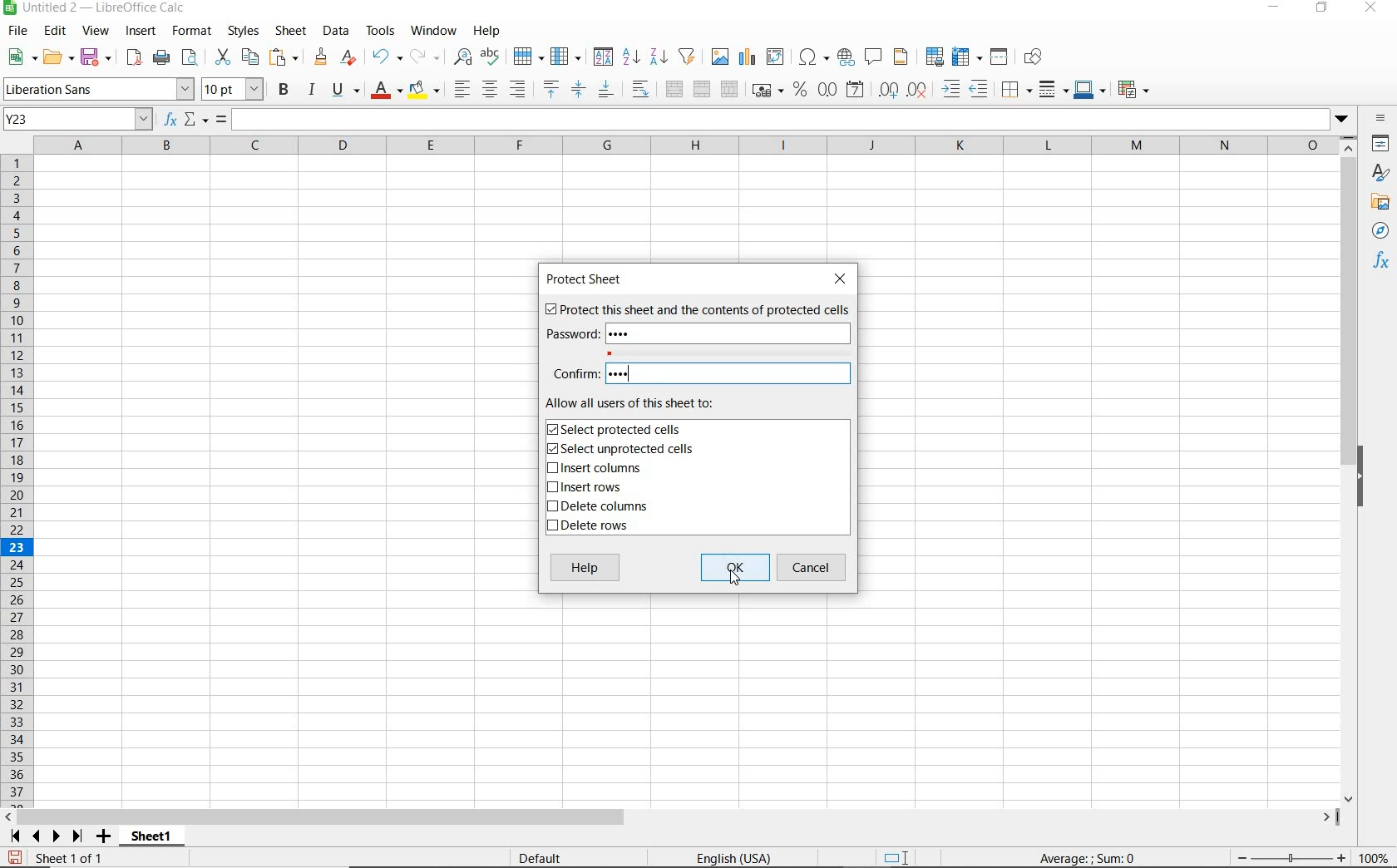 This screenshot has width=1397, height=868. I want to click on NEW, so click(18, 57).